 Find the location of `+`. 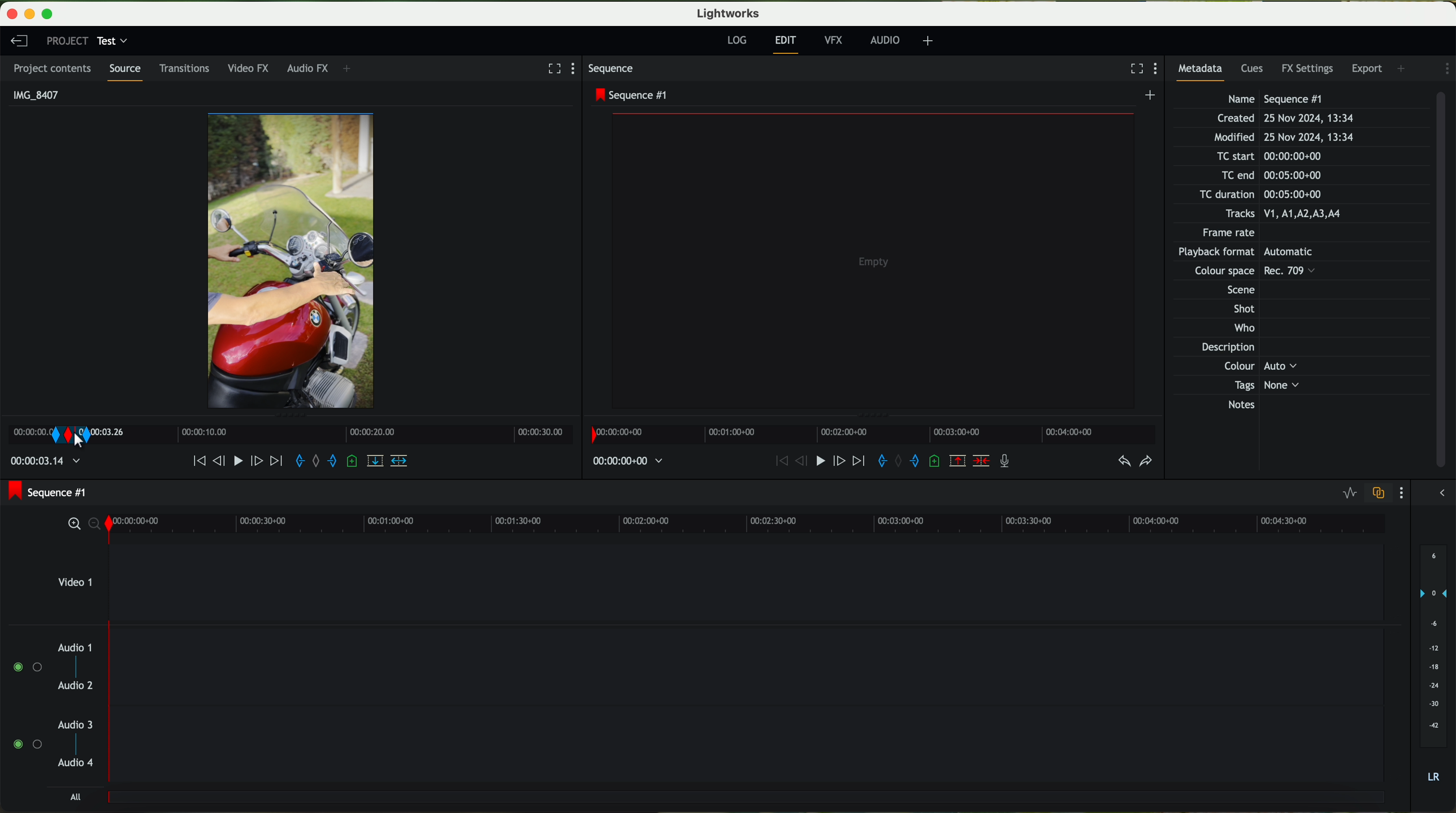

+ is located at coordinates (351, 70).